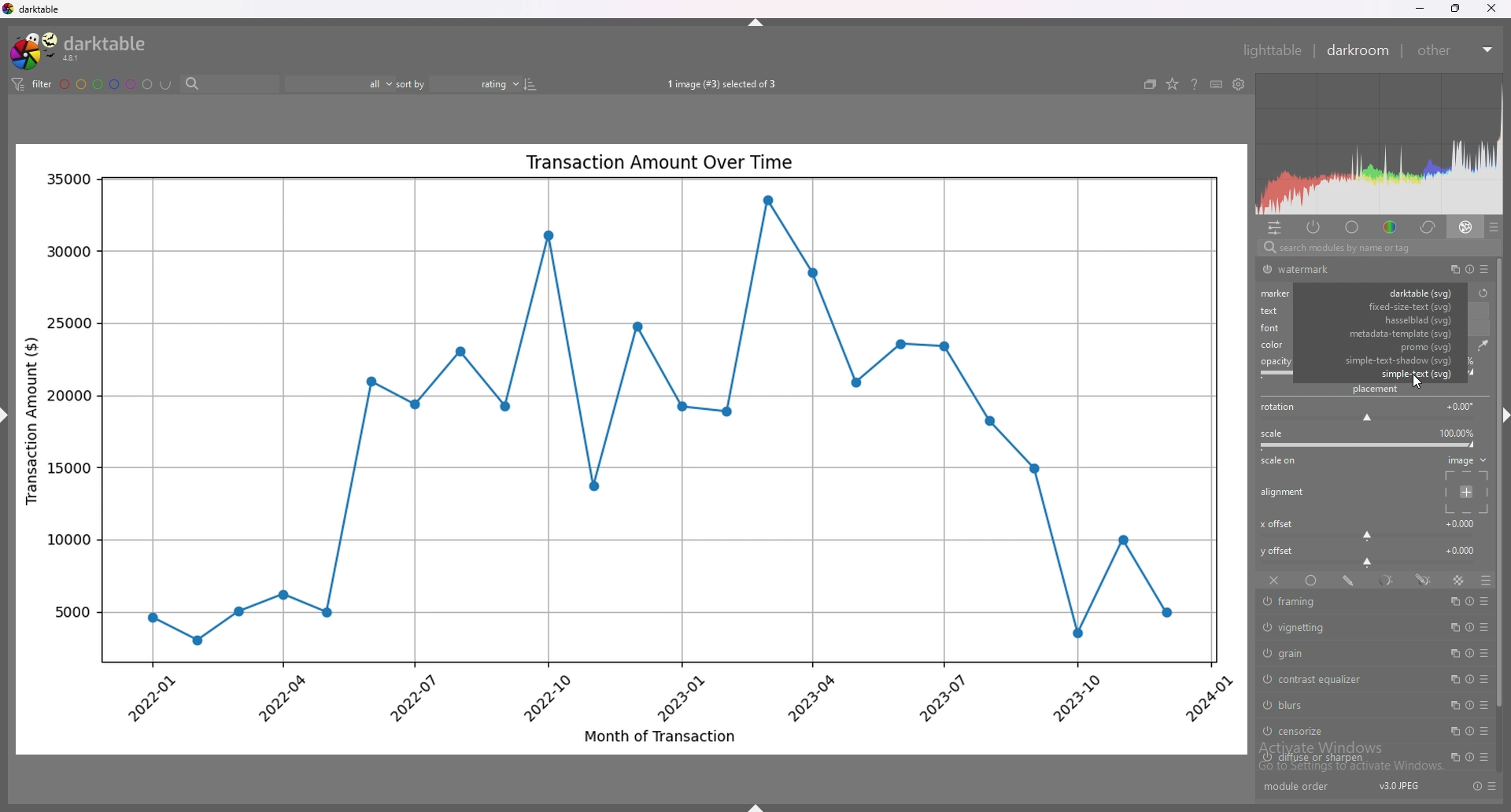 The image size is (1511, 812). Describe the element at coordinates (1469, 706) in the screenshot. I see `reset` at that location.